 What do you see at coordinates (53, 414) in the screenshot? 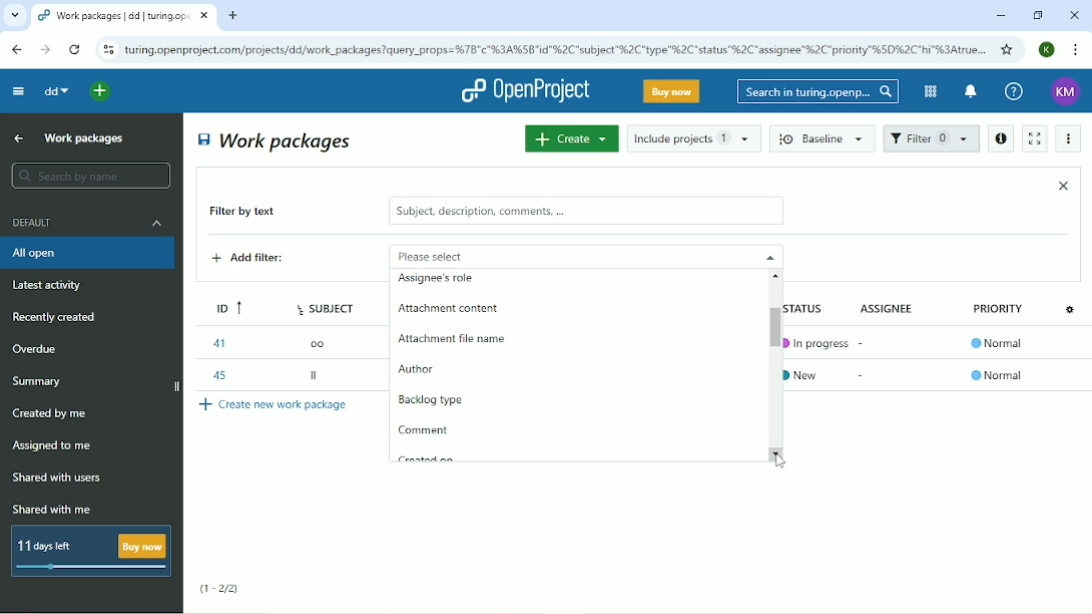
I see `Created by me` at bounding box center [53, 414].